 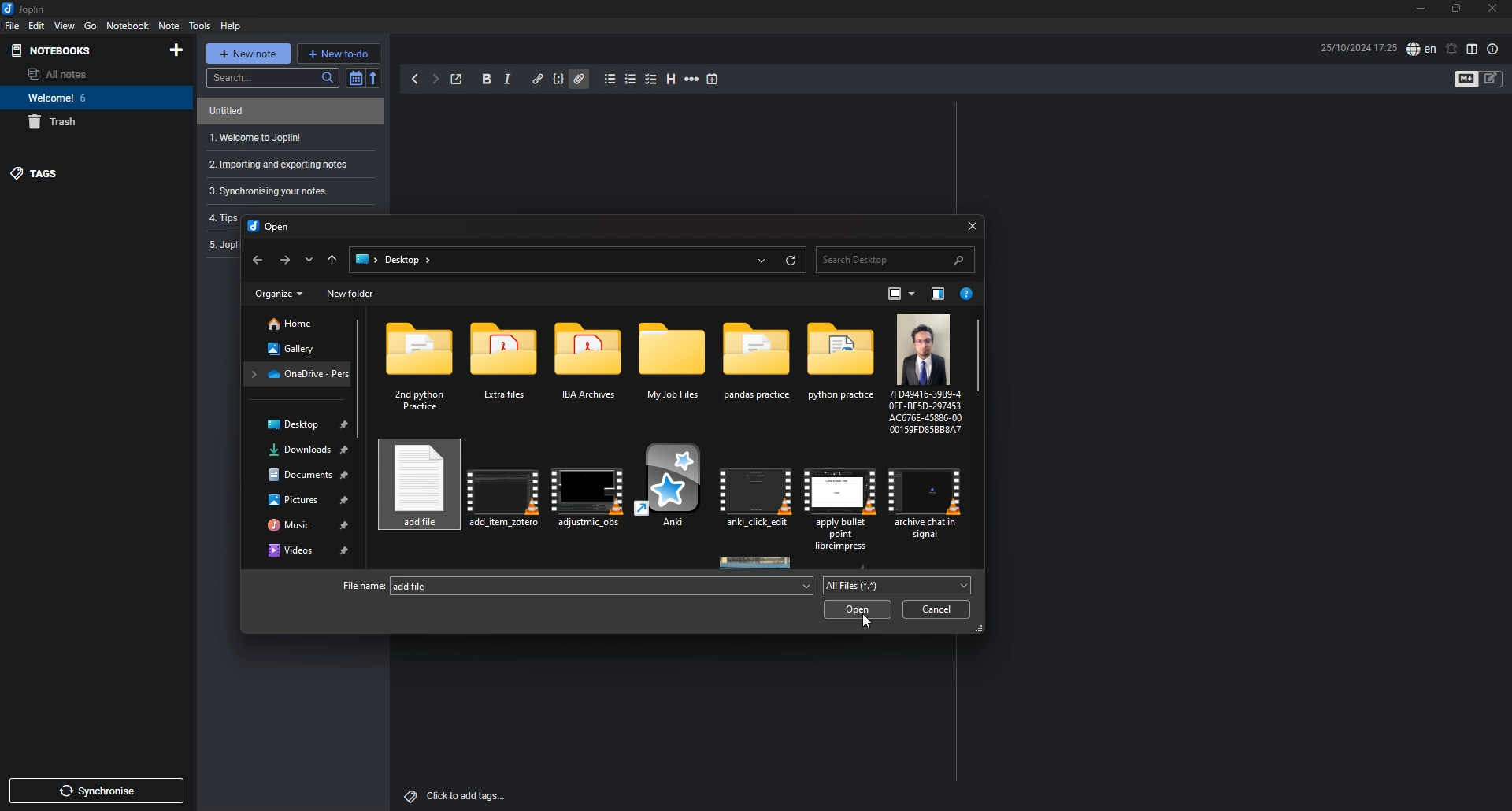 What do you see at coordinates (358, 585) in the screenshot?
I see `Filename` at bounding box center [358, 585].